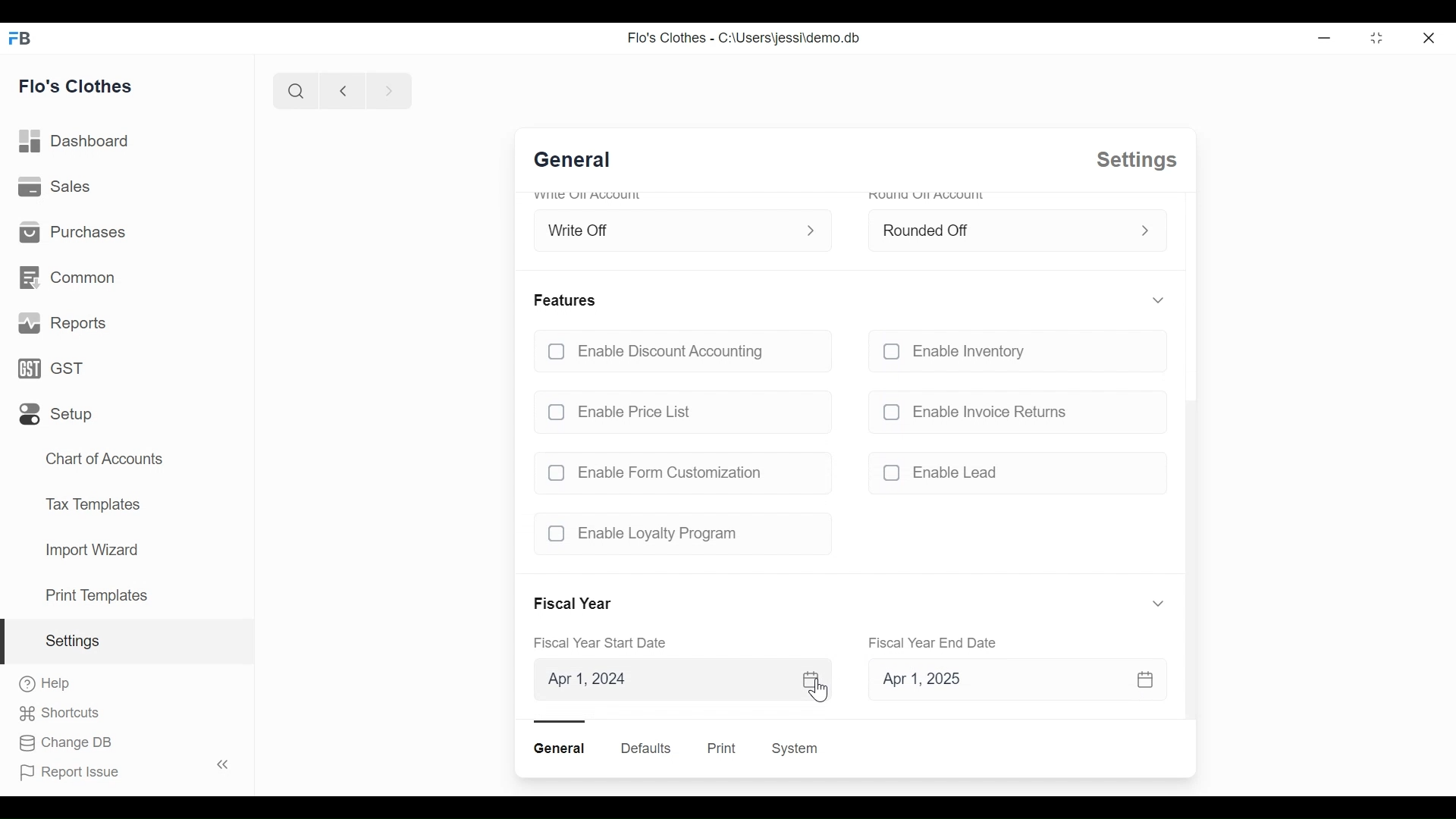 The width and height of the screenshot is (1456, 819). Describe the element at coordinates (66, 714) in the screenshot. I see `Shortcuts` at that location.